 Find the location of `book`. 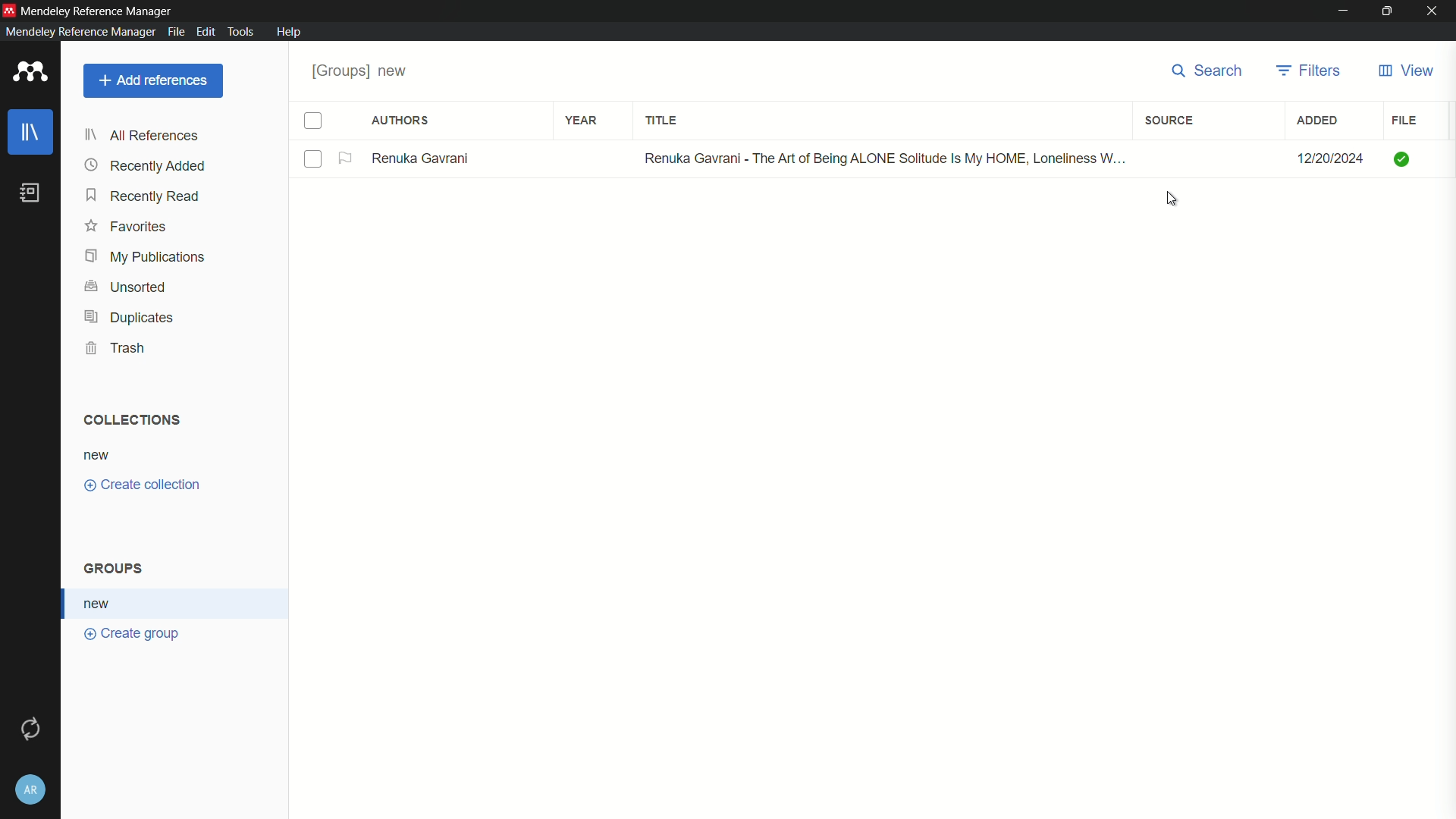

book is located at coordinates (30, 193).